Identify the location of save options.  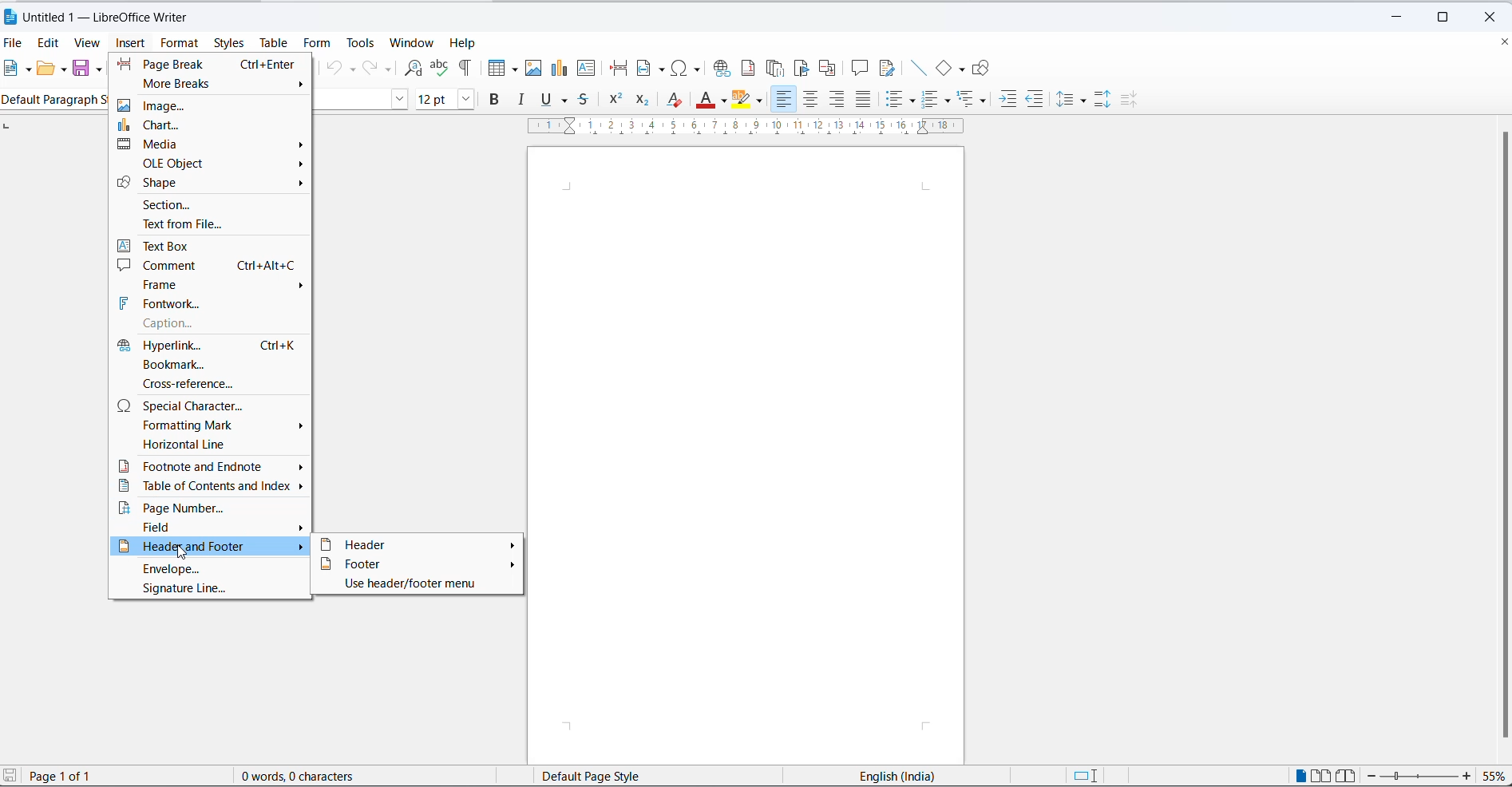
(100, 69).